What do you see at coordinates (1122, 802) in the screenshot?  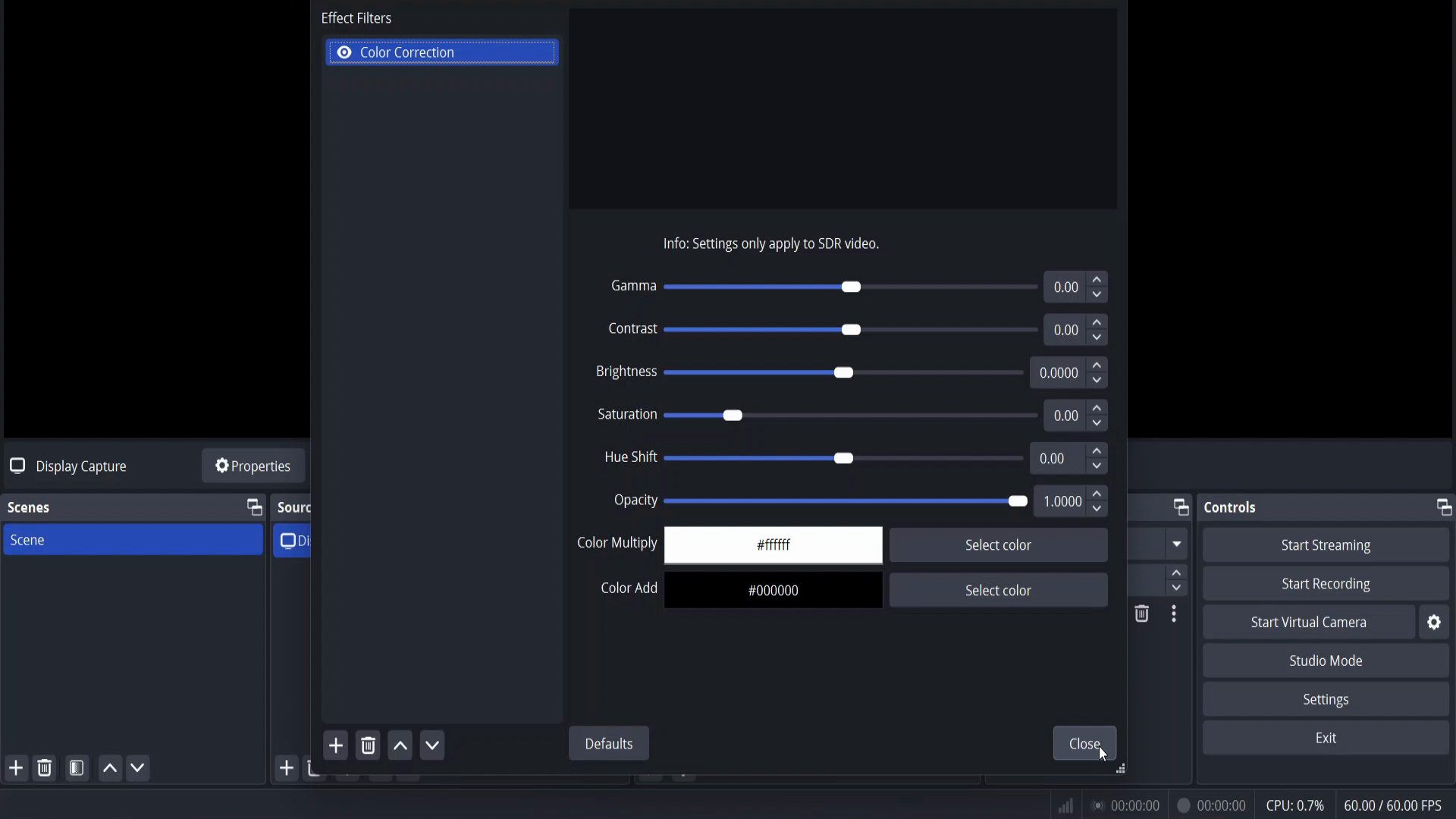 I see `status` at bounding box center [1122, 802].